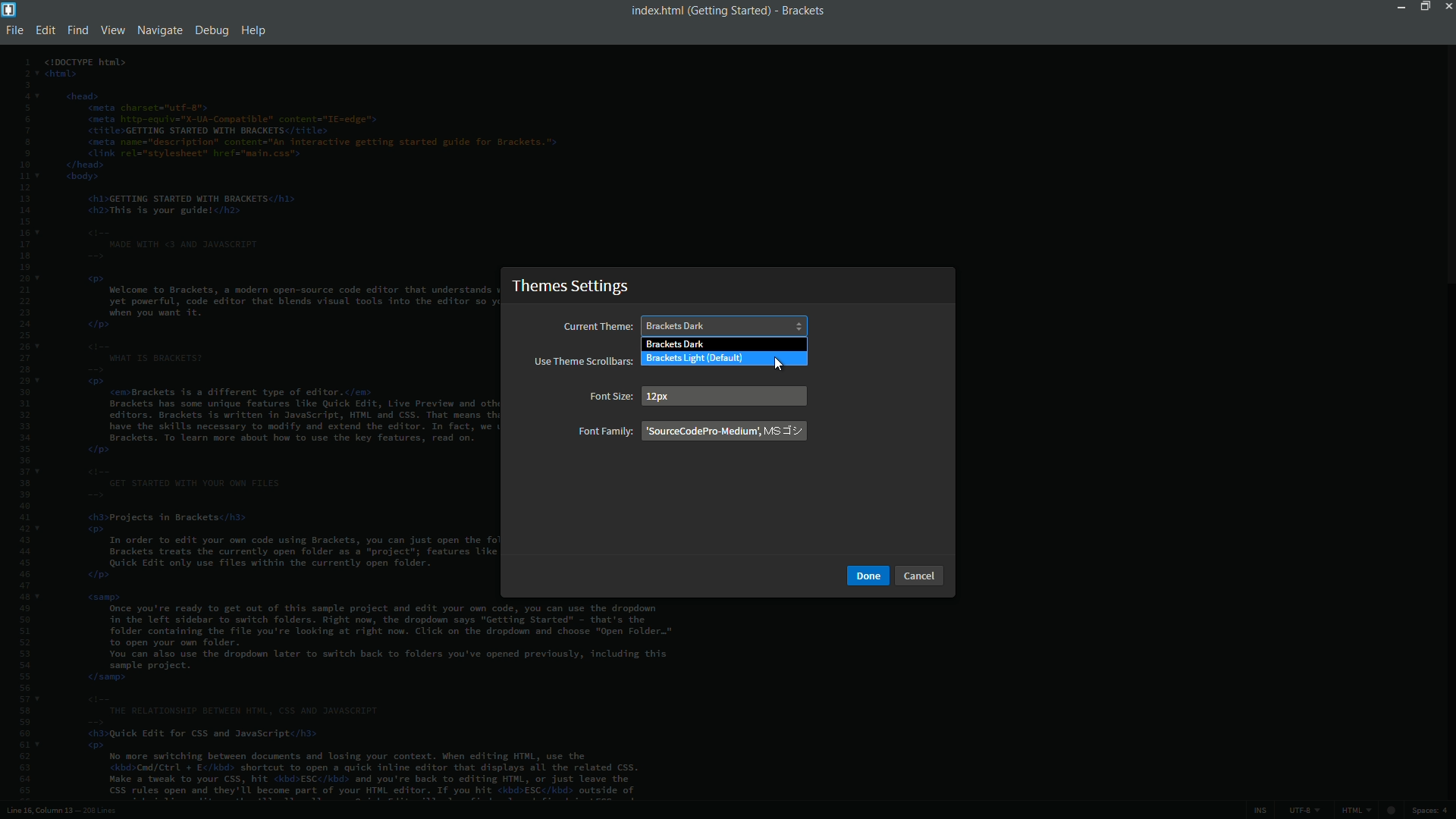 The height and width of the screenshot is (819, 1456). I want to click on number of lines, so click(102, 812).